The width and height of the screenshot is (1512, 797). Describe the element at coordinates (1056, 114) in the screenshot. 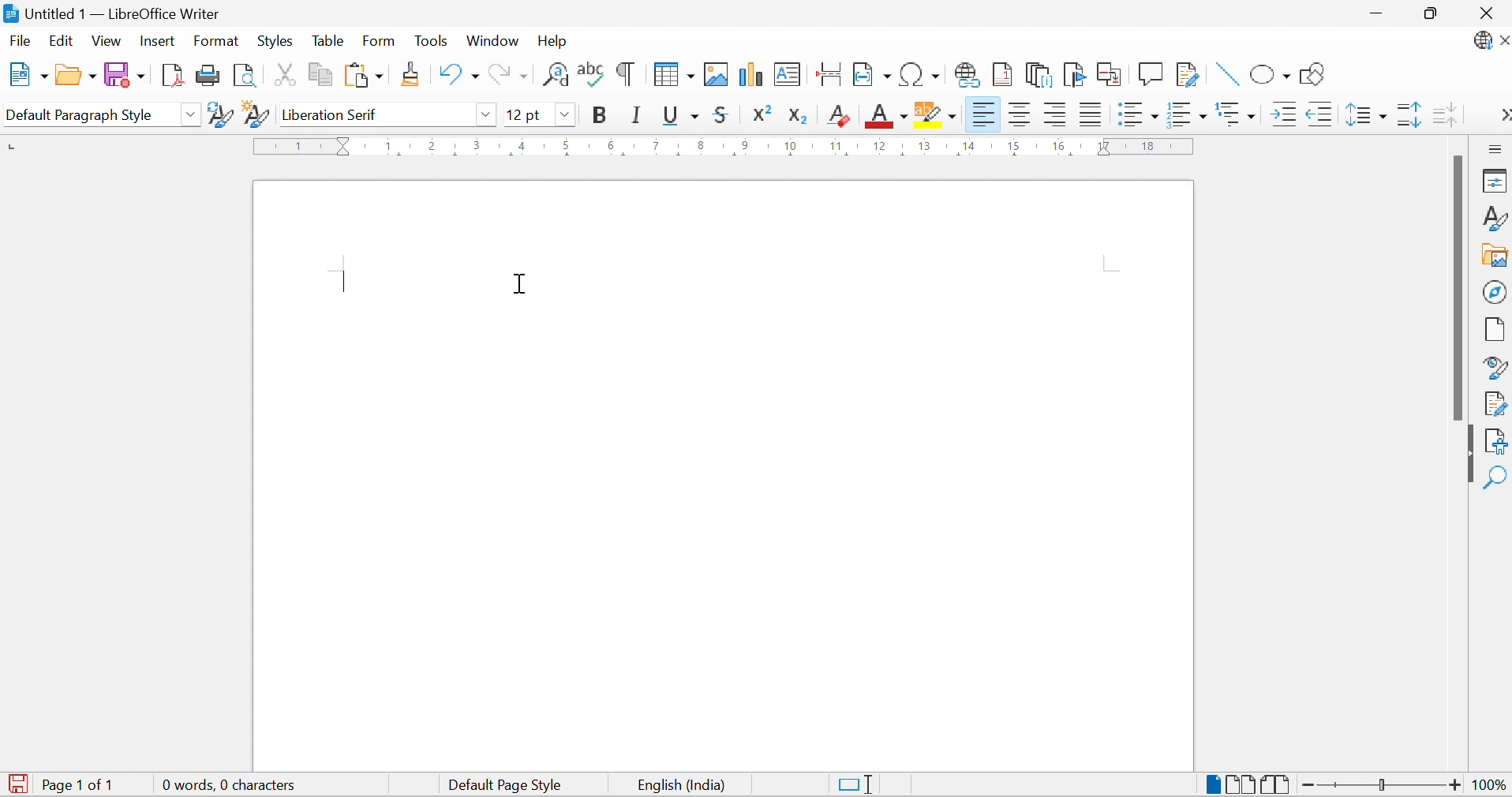

I see `Align Left` at that location.